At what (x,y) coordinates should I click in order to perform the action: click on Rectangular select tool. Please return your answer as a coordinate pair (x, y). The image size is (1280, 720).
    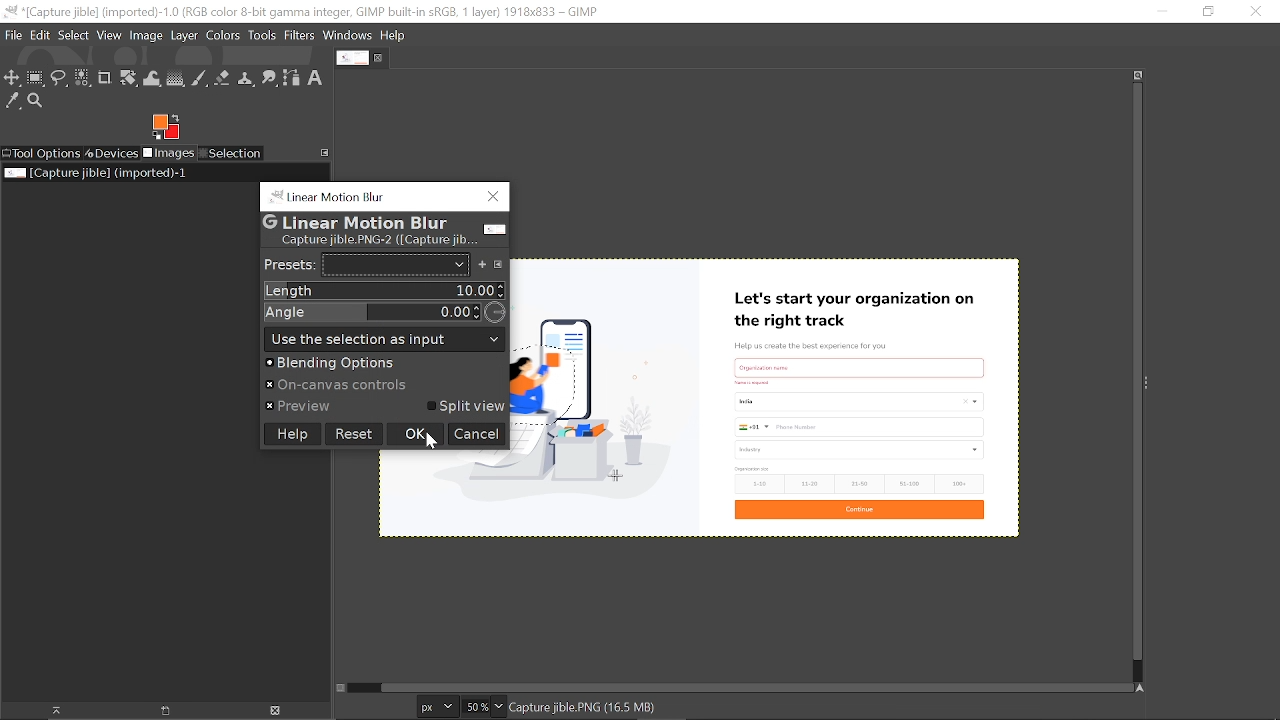
    Looking at the image, I should click on (35, 77).